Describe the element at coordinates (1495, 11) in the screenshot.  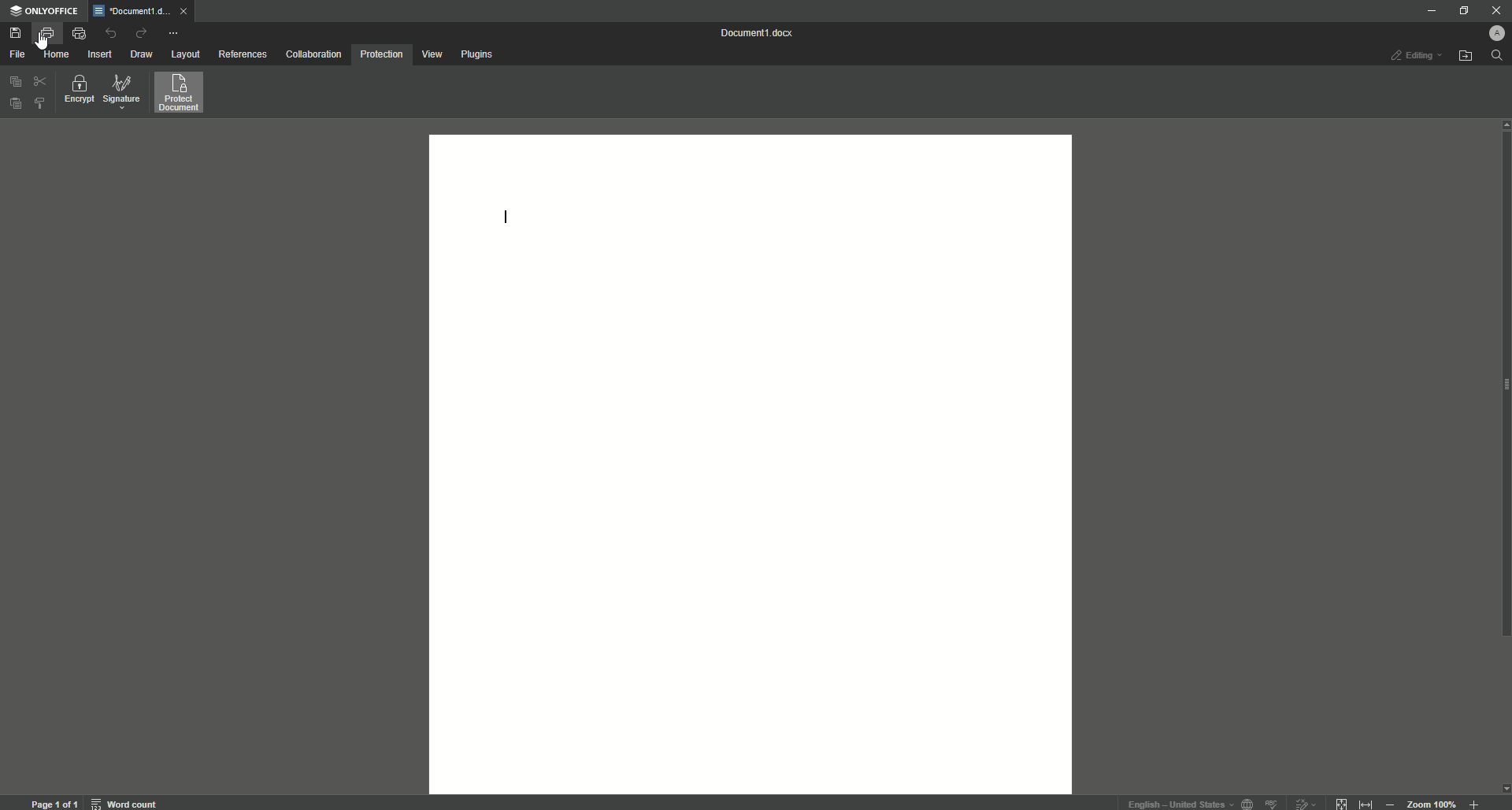
I see `Close` at that location.